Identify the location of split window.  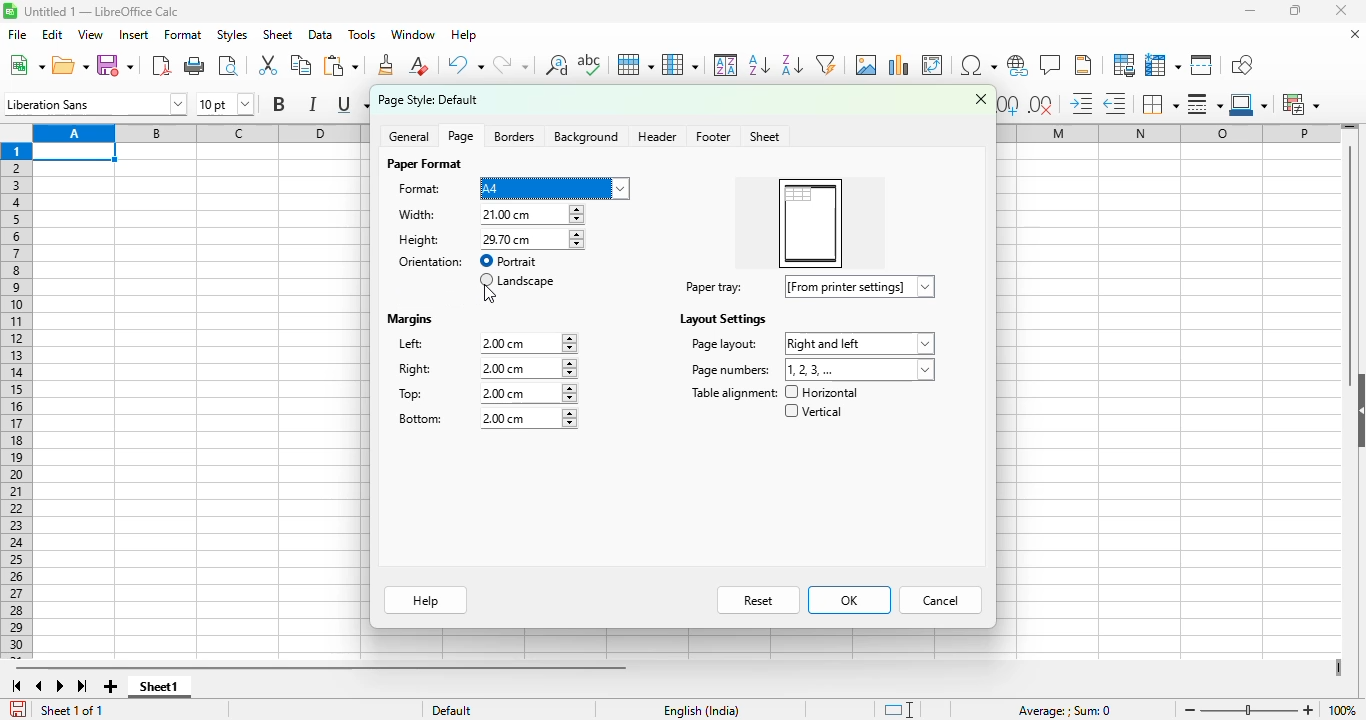
(1201, 65).